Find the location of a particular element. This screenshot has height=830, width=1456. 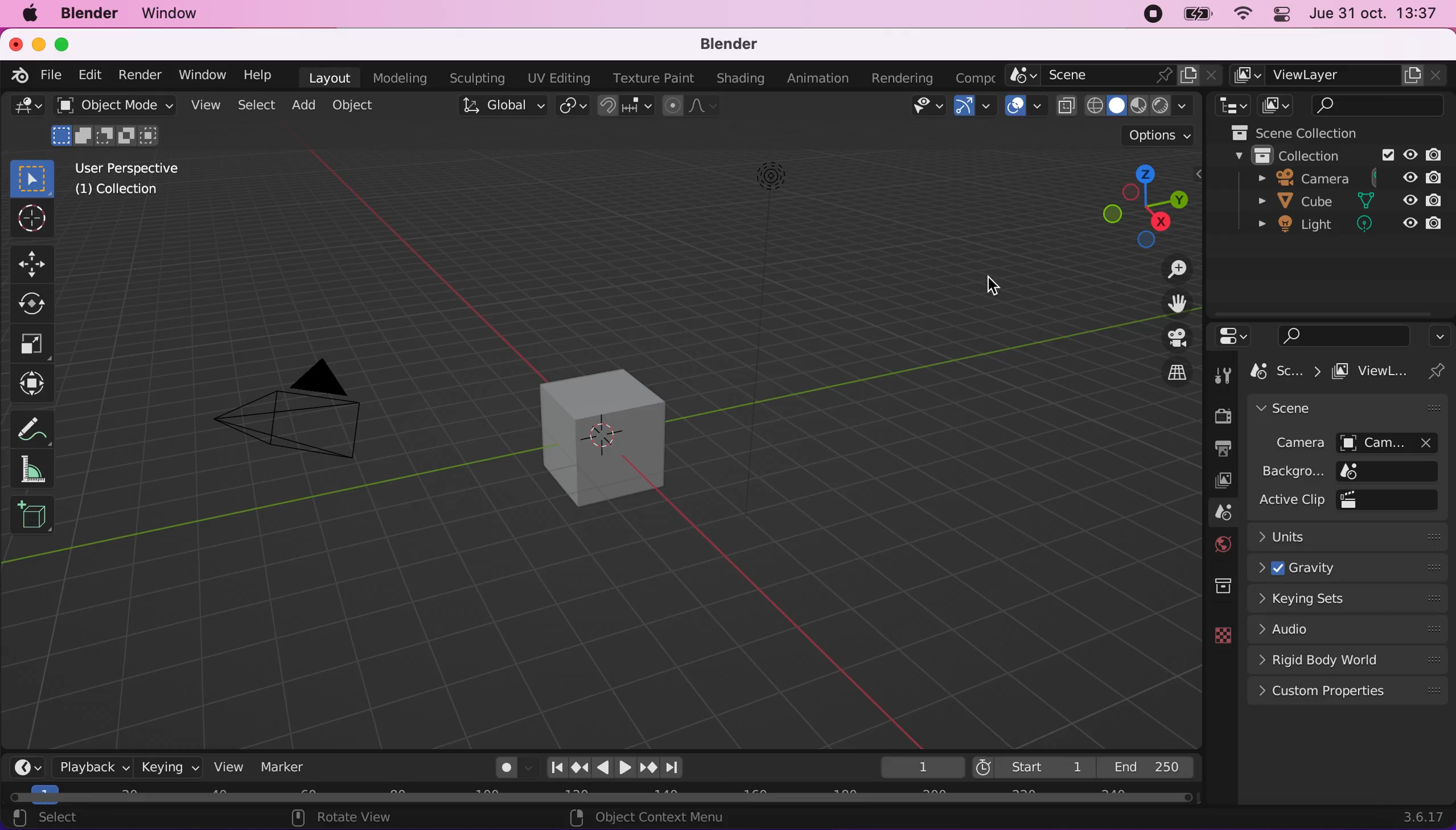

reproduction bar is located at coordinates (624, 767).